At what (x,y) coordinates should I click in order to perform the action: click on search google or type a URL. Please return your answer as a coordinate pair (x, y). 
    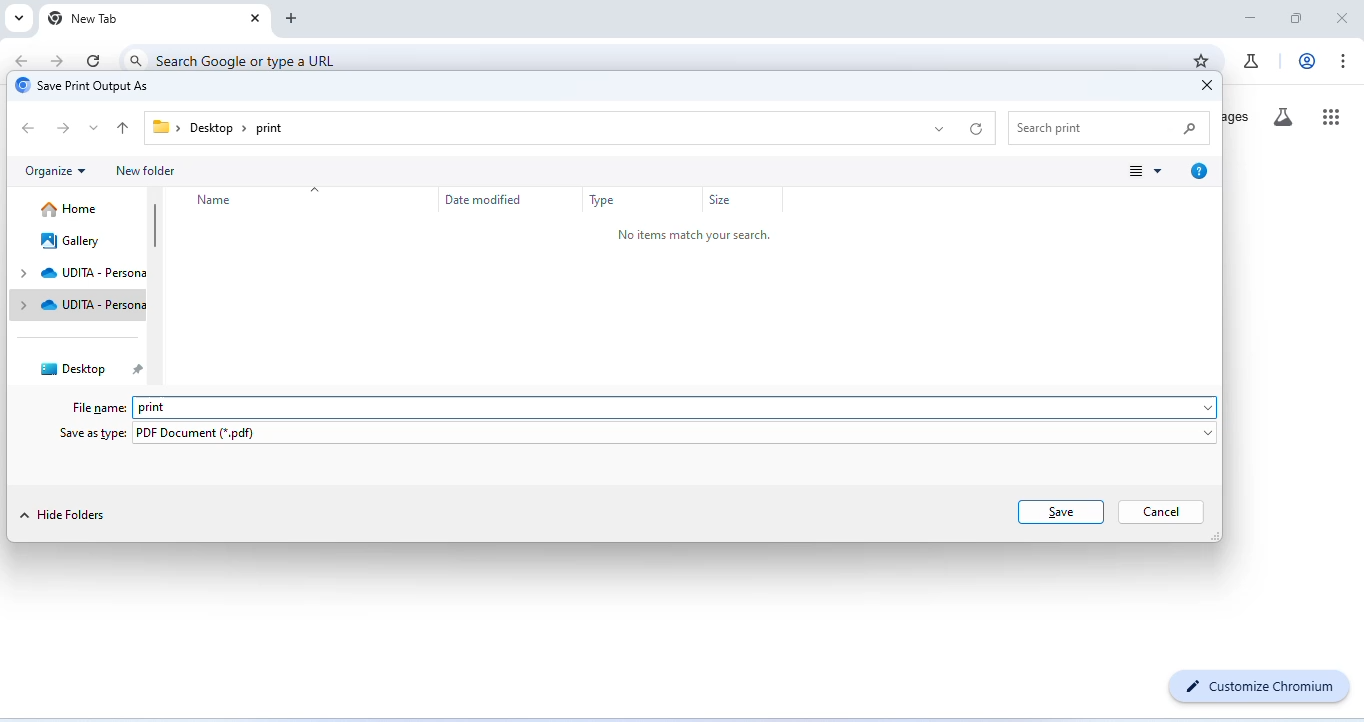
    Looking at the image, I should click on (251, 60).